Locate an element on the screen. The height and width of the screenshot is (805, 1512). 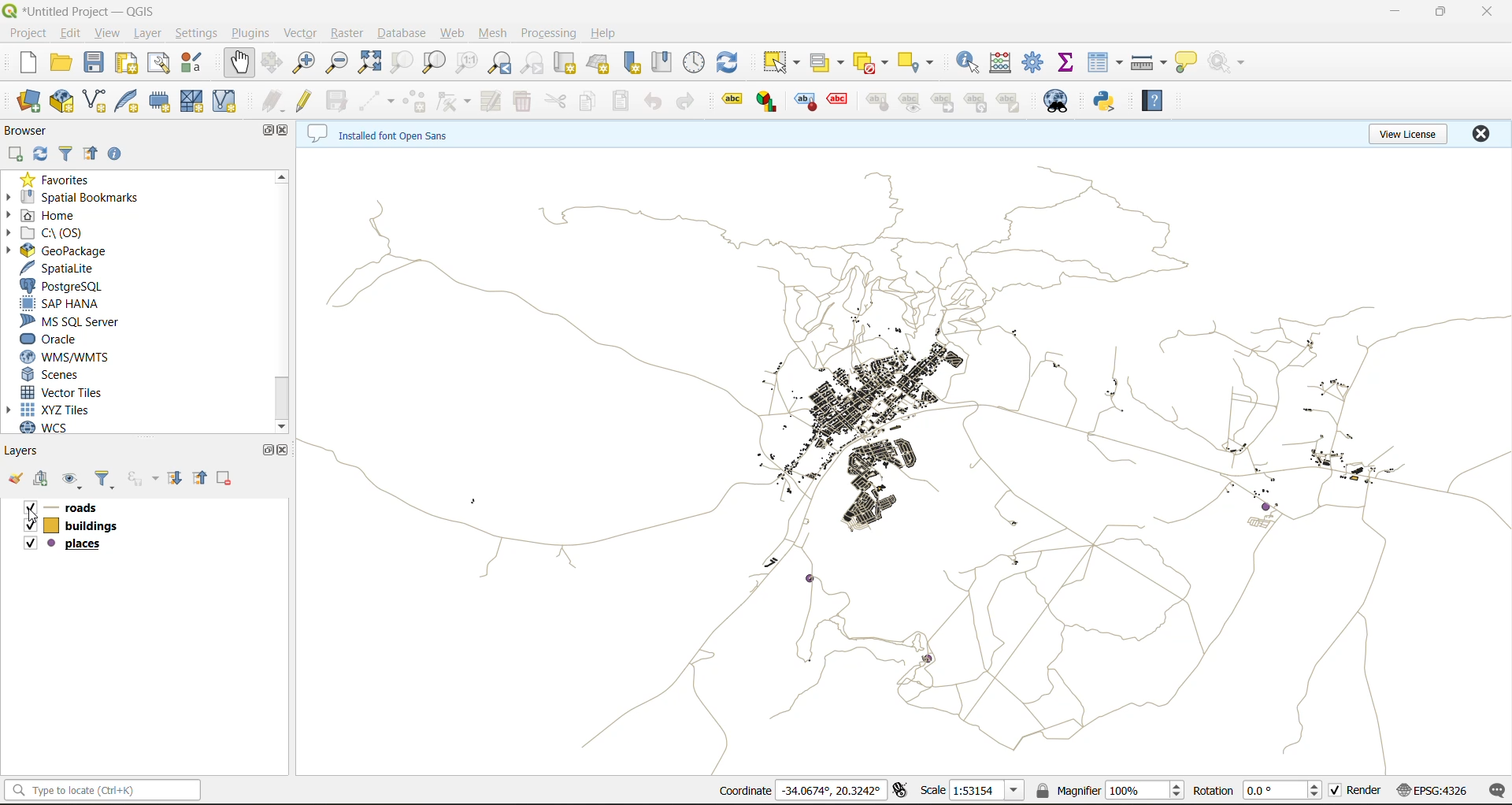
measure line is located at coordinates (1149, 63).